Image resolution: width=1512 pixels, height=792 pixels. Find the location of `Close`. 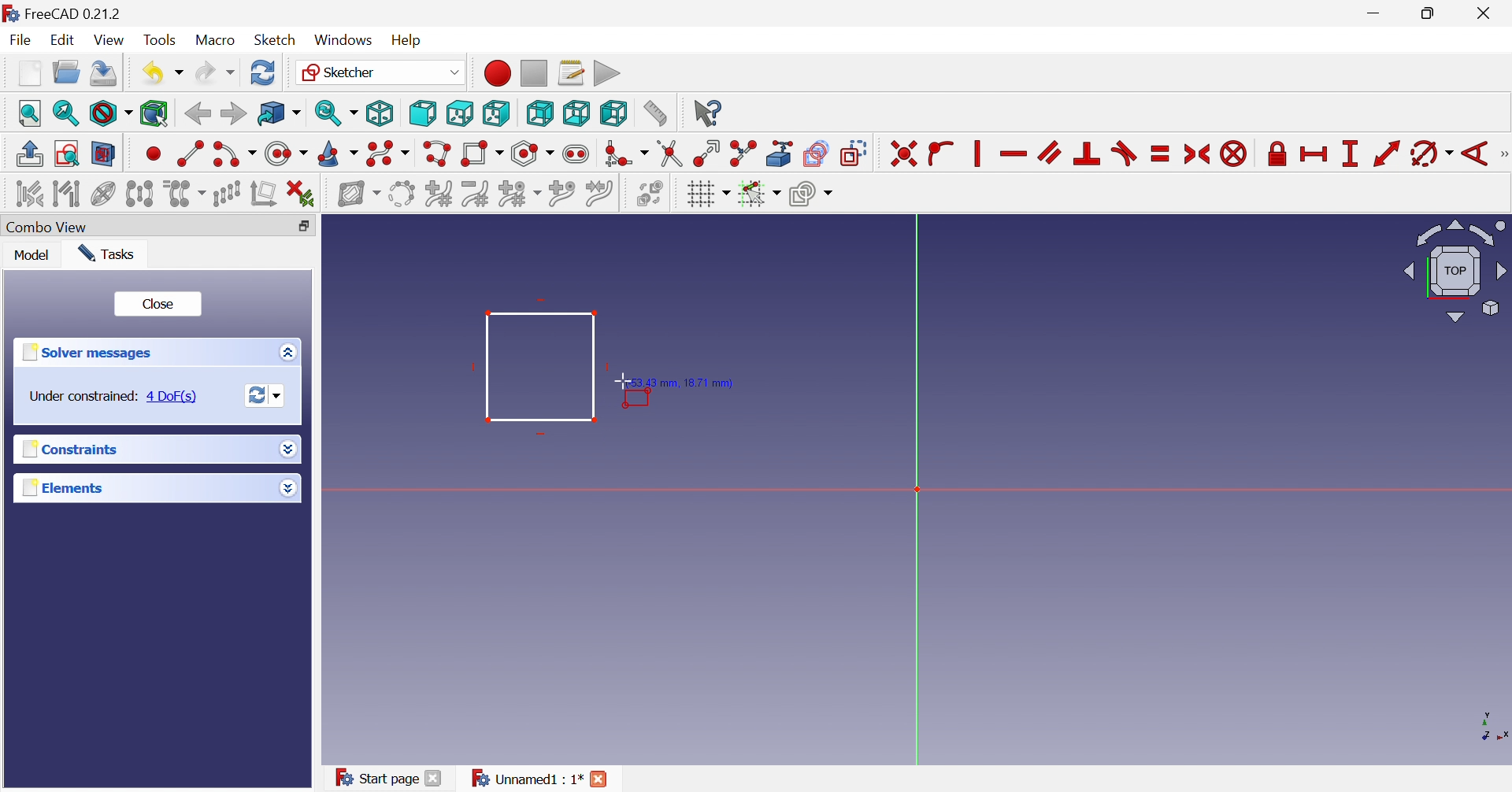

Close is located at coordinates (434, 778).